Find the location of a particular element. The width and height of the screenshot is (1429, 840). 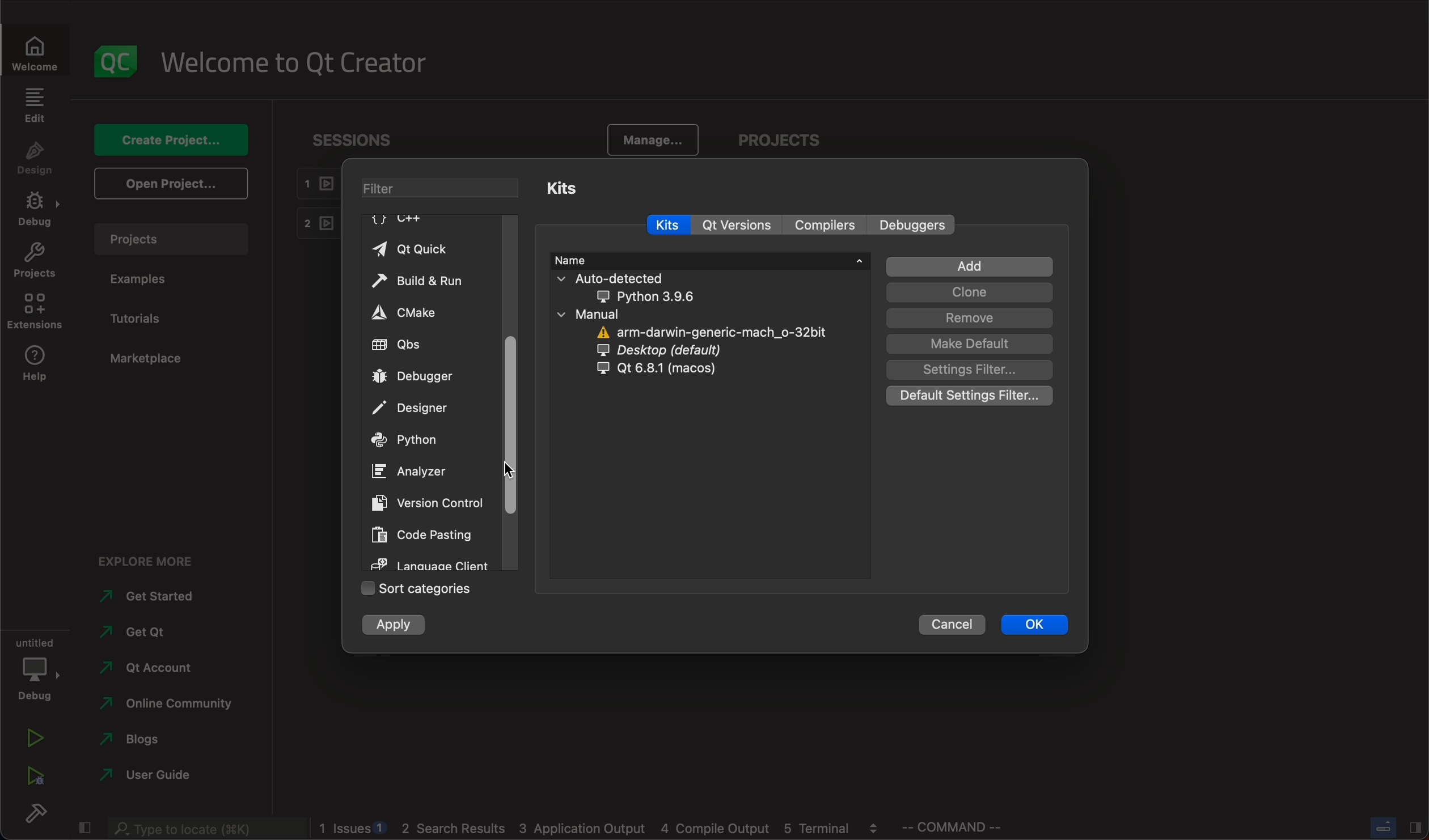

kits is located at coordinates (667, 225).